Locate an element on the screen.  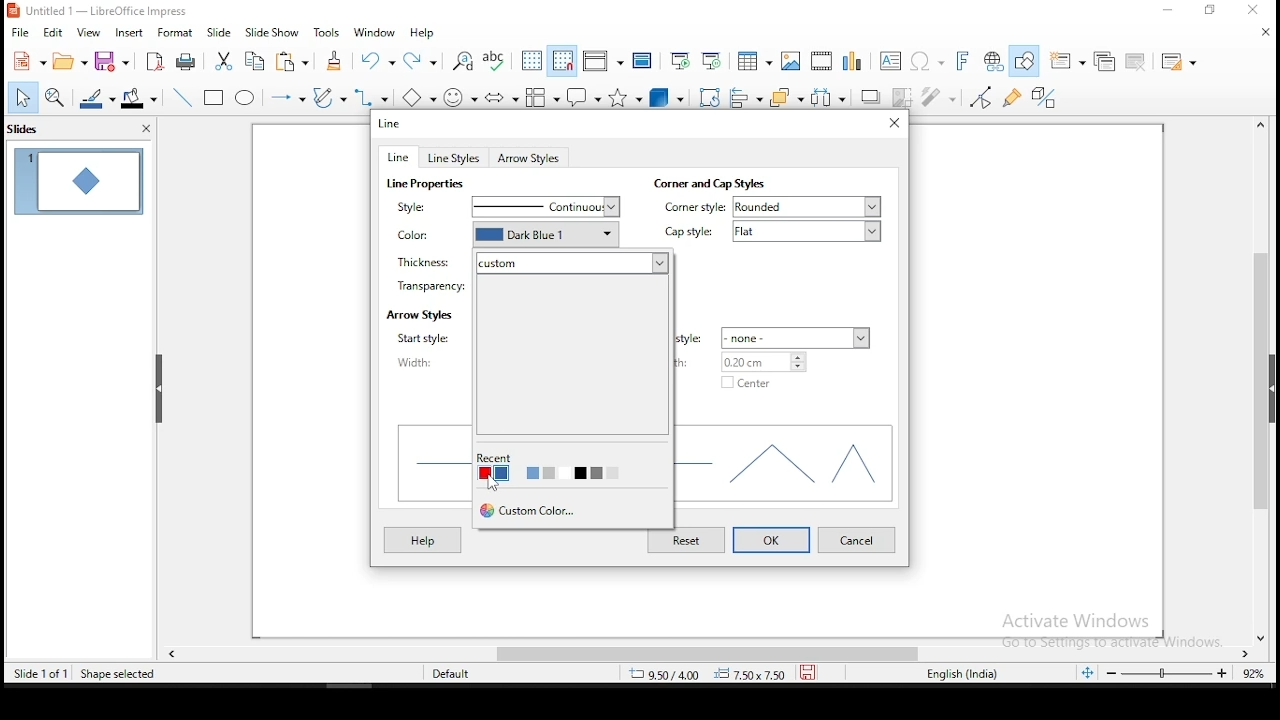
 is located at coordinates (965, 62).